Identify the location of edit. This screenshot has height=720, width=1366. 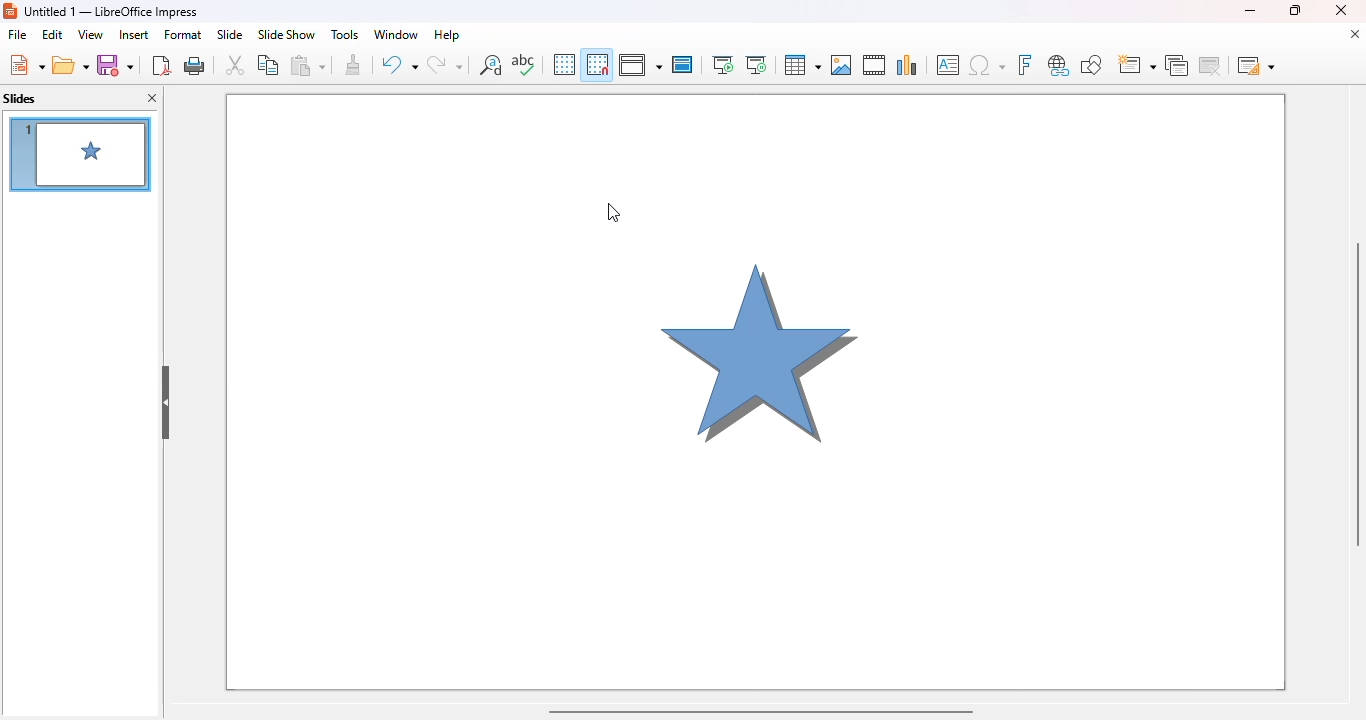
(53, 35).